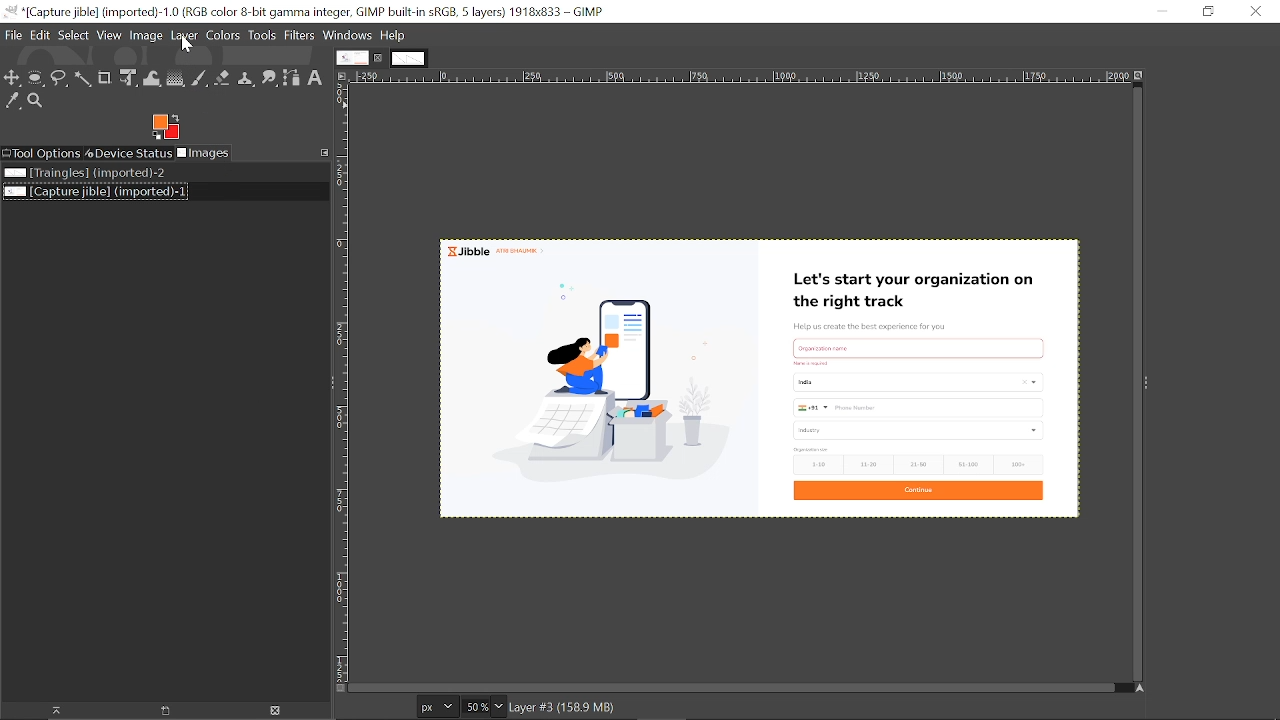 Image resolution: width=1280 pixels, height=720 pixels. Describe the element at coordinates (36, 78) in the screenshot. I see `Ellipse select tool` at that location.